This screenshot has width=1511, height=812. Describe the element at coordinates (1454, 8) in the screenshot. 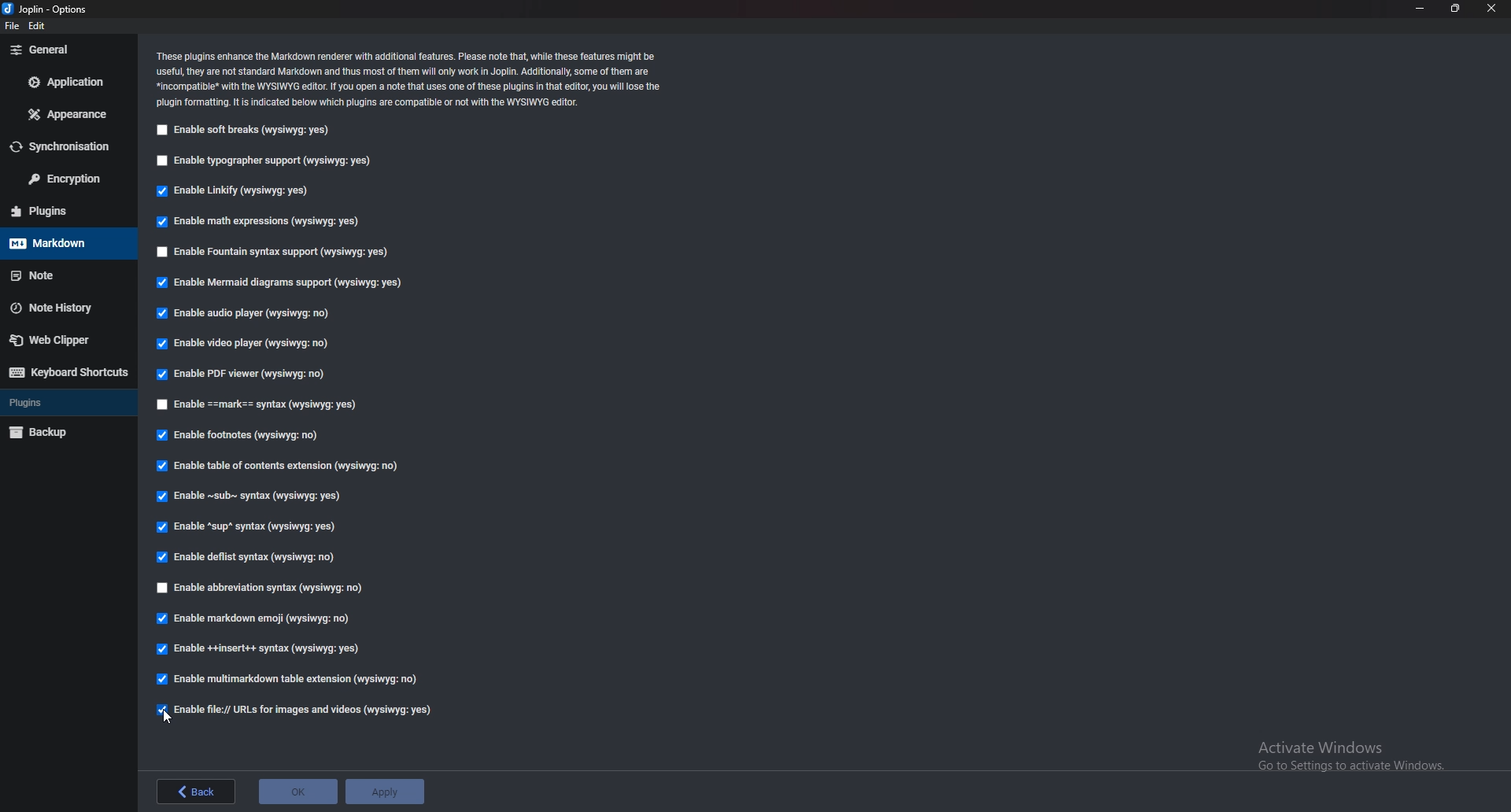

I see `Resize` at that location.